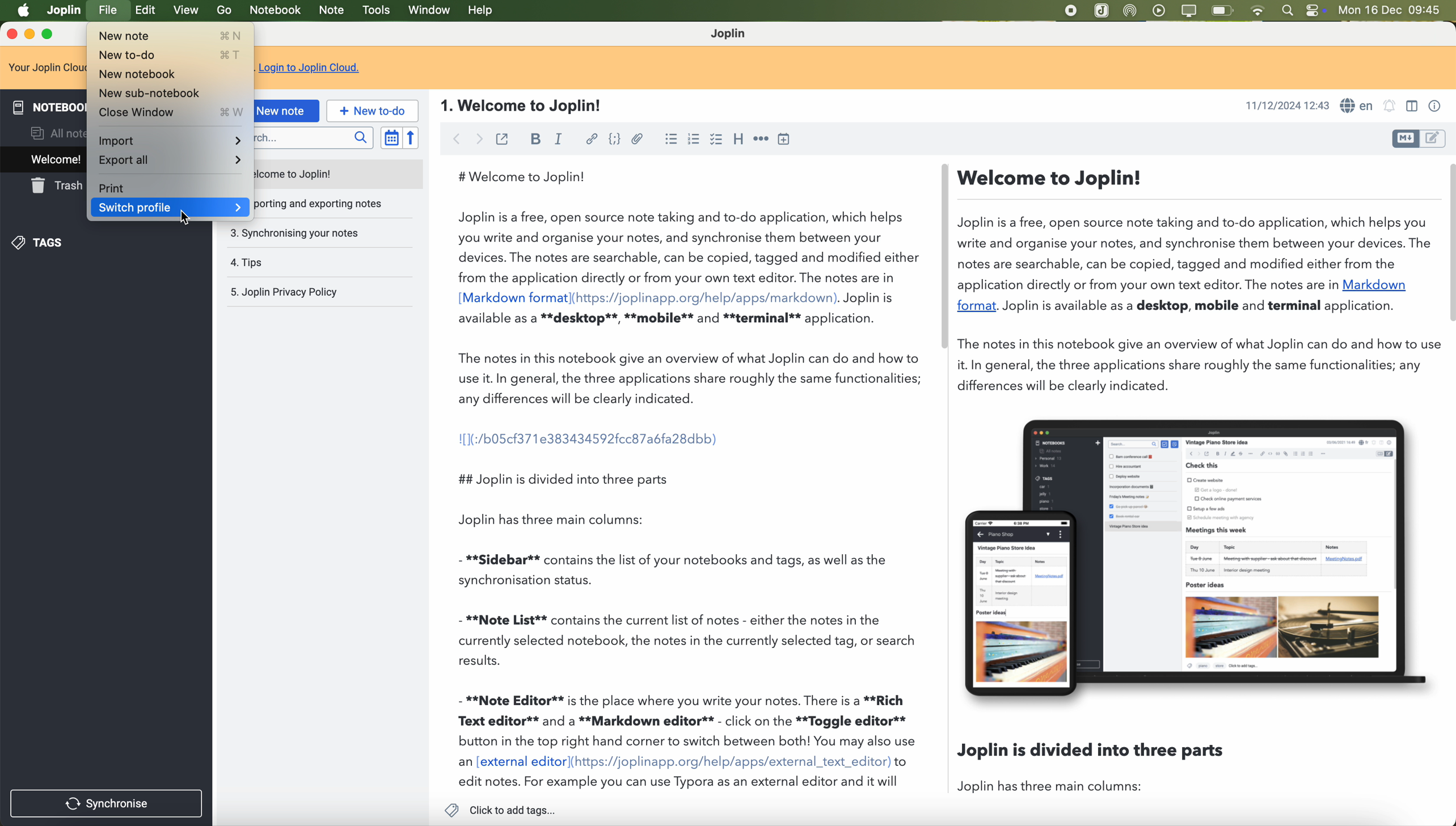 Image resolution: width=1456 pixels, height=826 pixels. What do you see at coordinates (109, 12) in the screenshot?
I see `Cursor` at bounding box center [109, 12].